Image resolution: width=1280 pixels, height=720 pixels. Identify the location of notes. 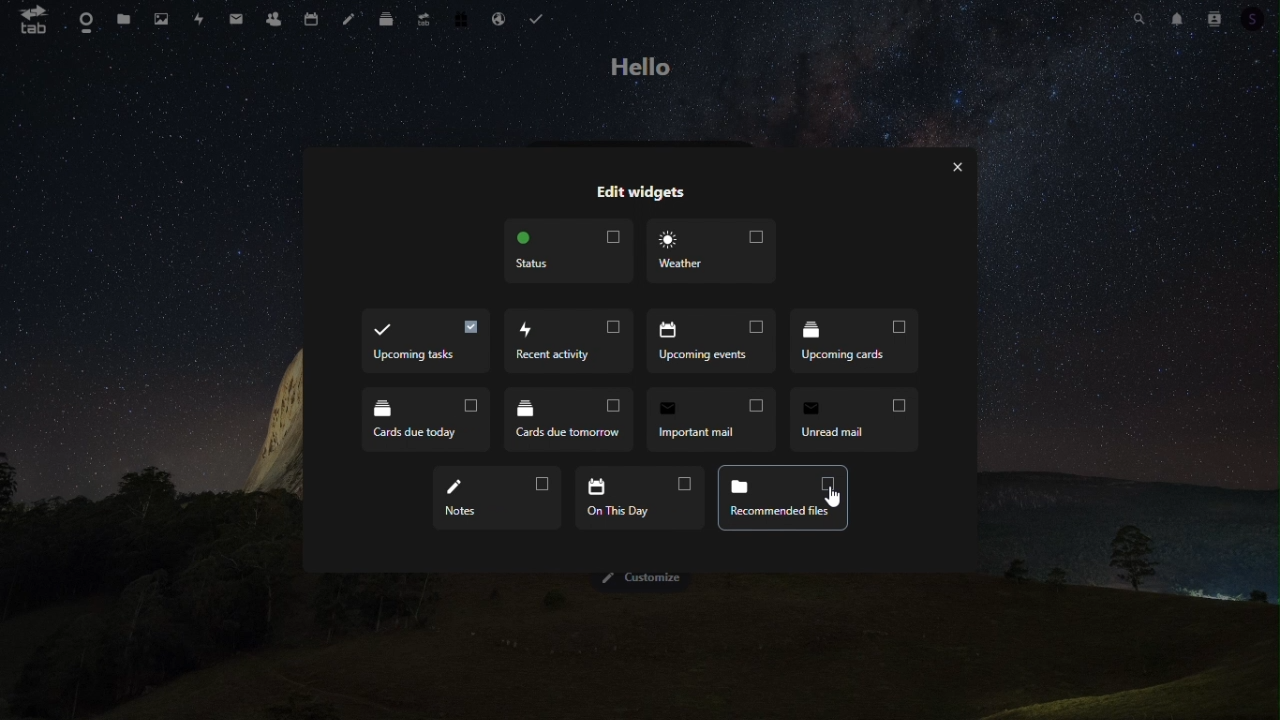
(853, 418).